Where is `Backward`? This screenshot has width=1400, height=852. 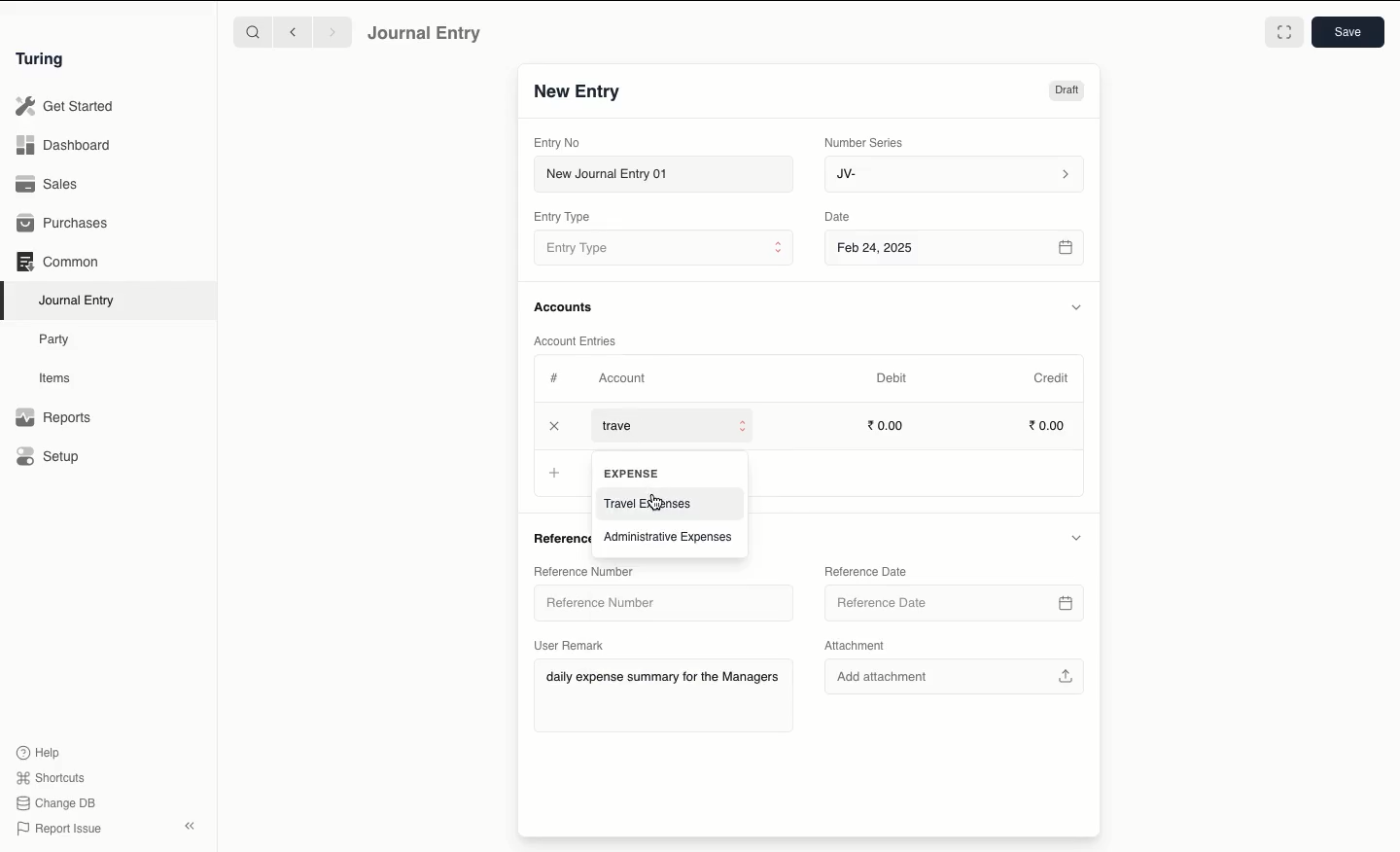
Backward is located at coordinates (293, 31).